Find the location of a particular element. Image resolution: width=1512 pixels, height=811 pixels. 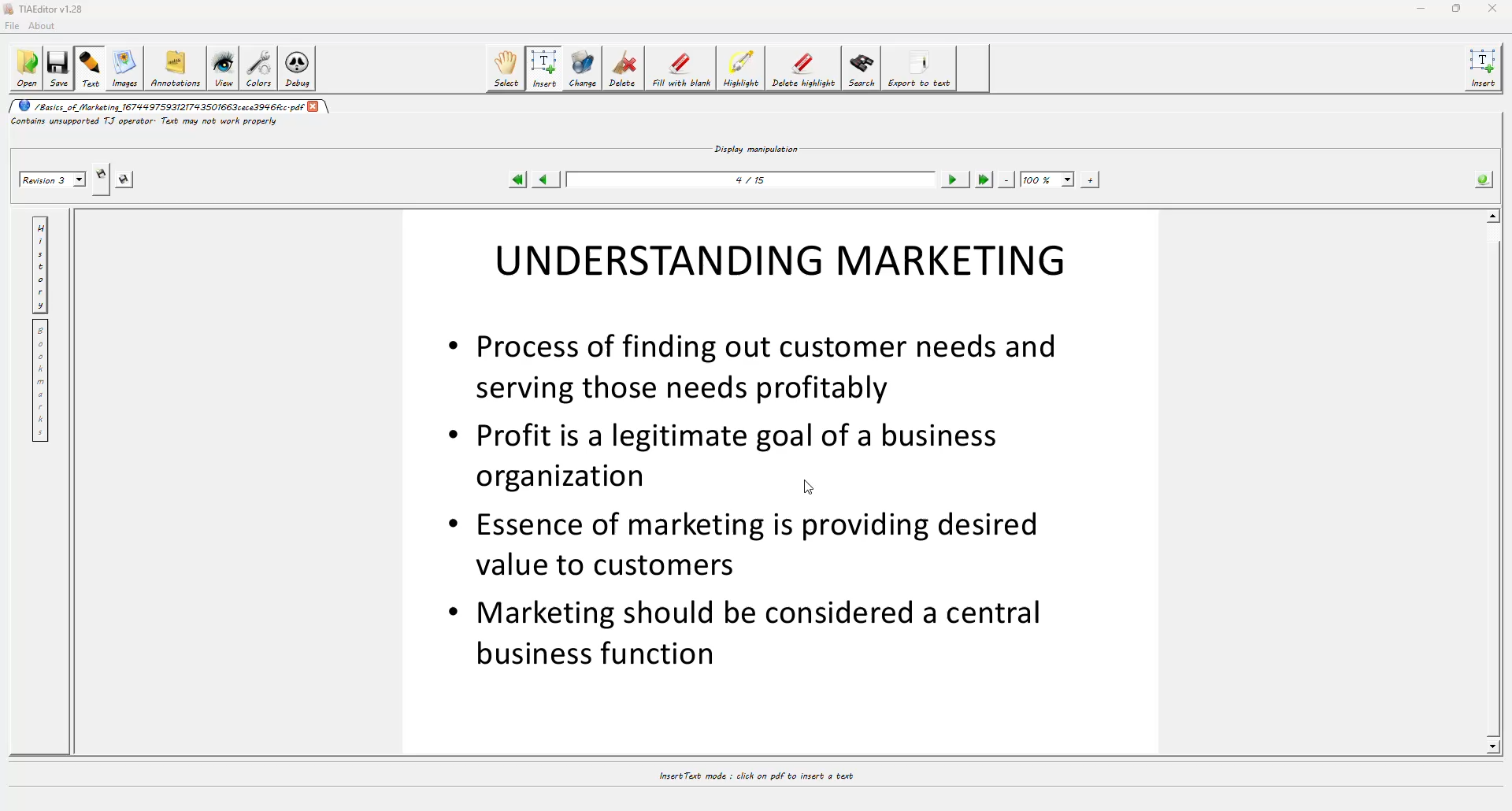

revision 3 is located at coordinates (52, 181).